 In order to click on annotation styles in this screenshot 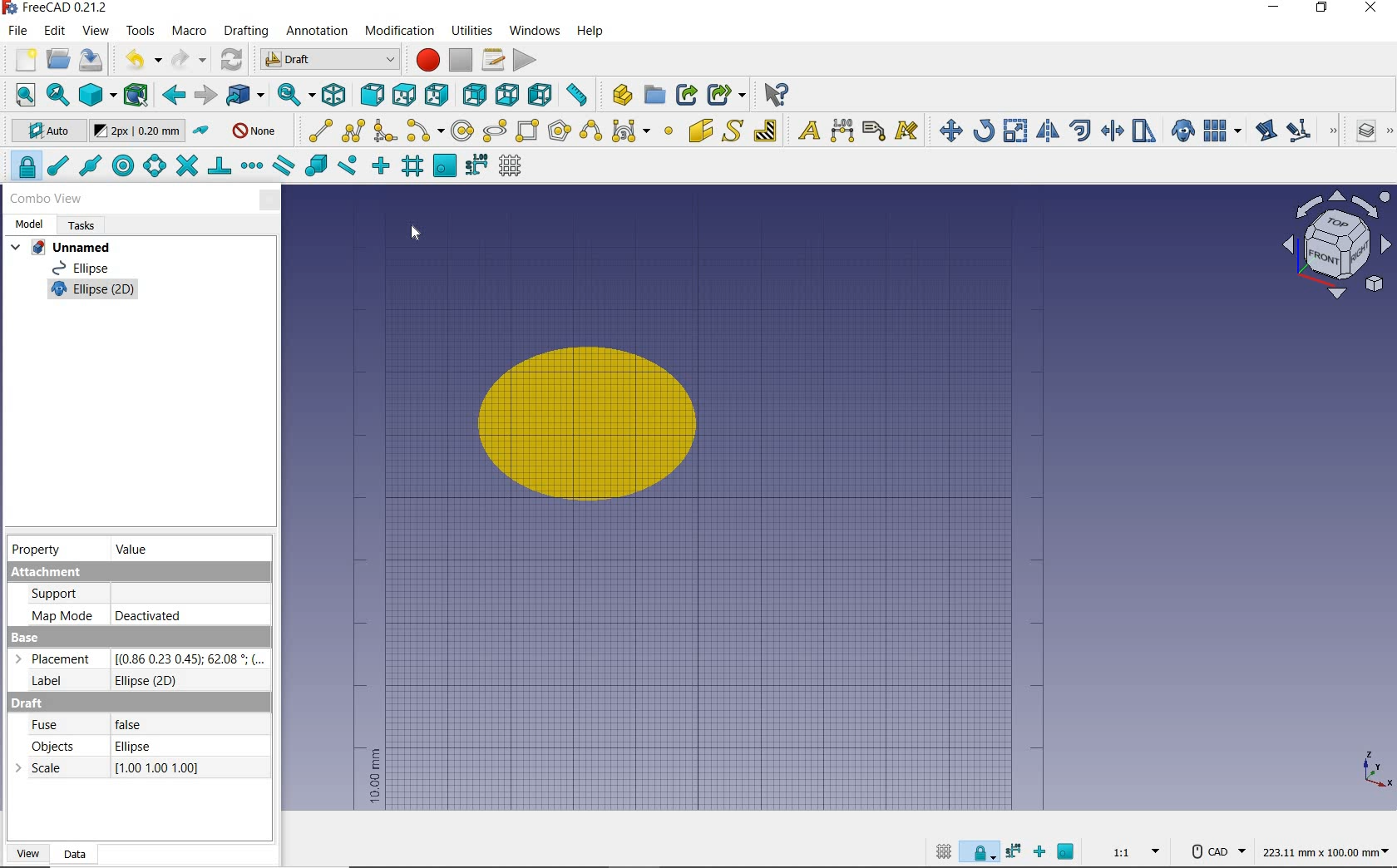, I will do `click(908, 131)`.